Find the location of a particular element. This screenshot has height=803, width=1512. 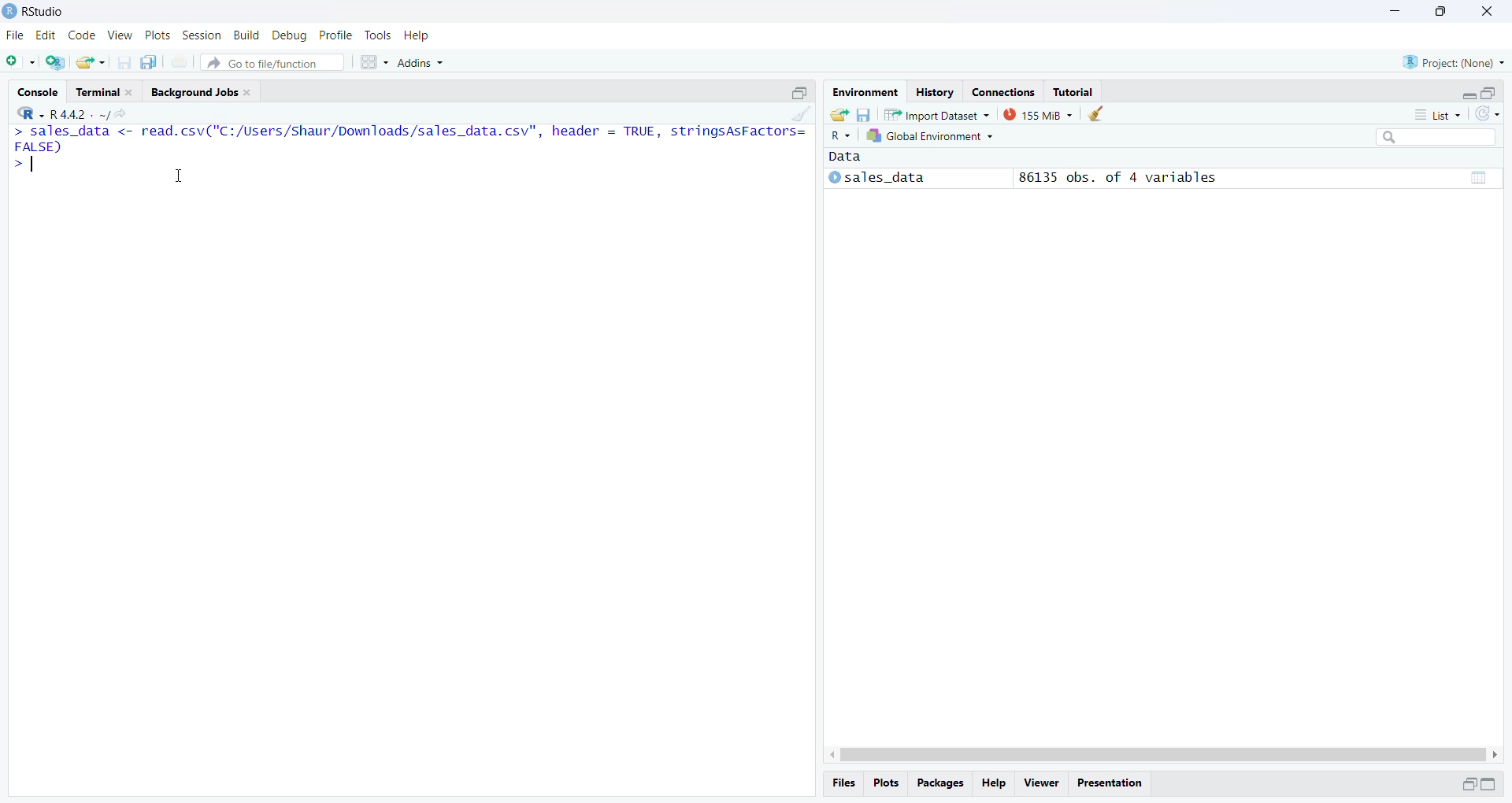

Maximize is located at coordinates (1467, 785).